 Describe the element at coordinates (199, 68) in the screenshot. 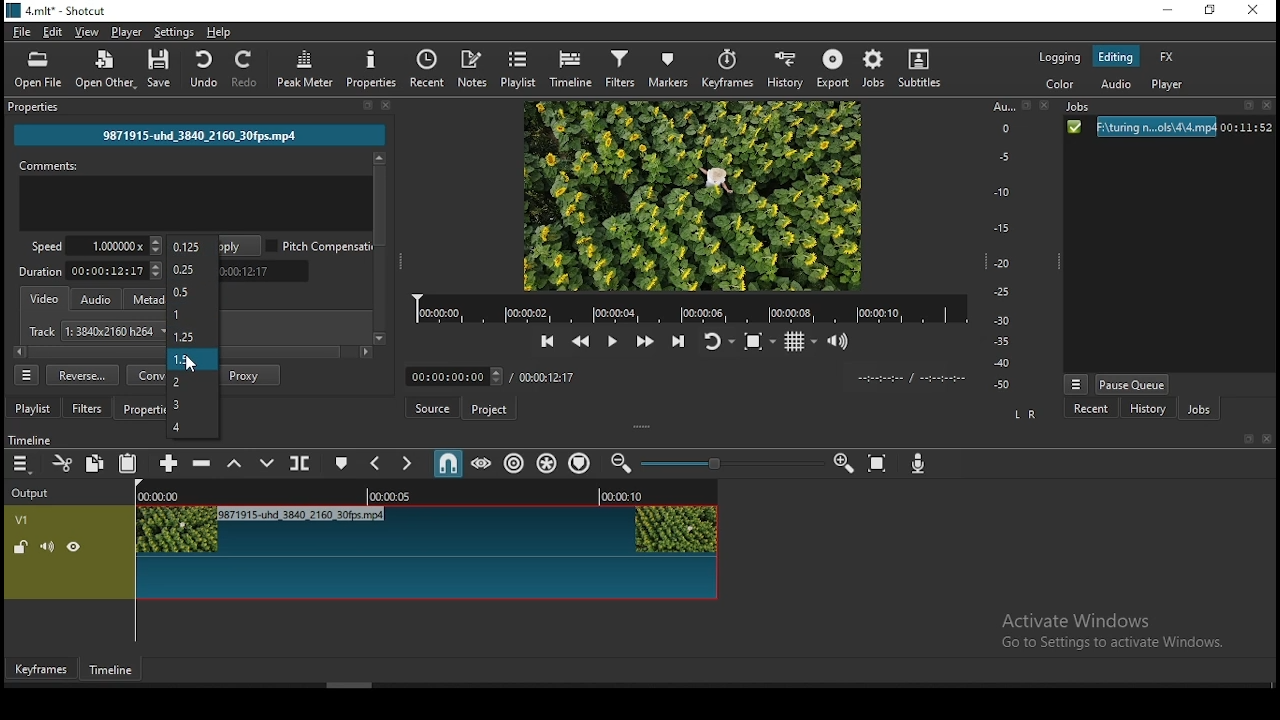

I see `undo` at that location.